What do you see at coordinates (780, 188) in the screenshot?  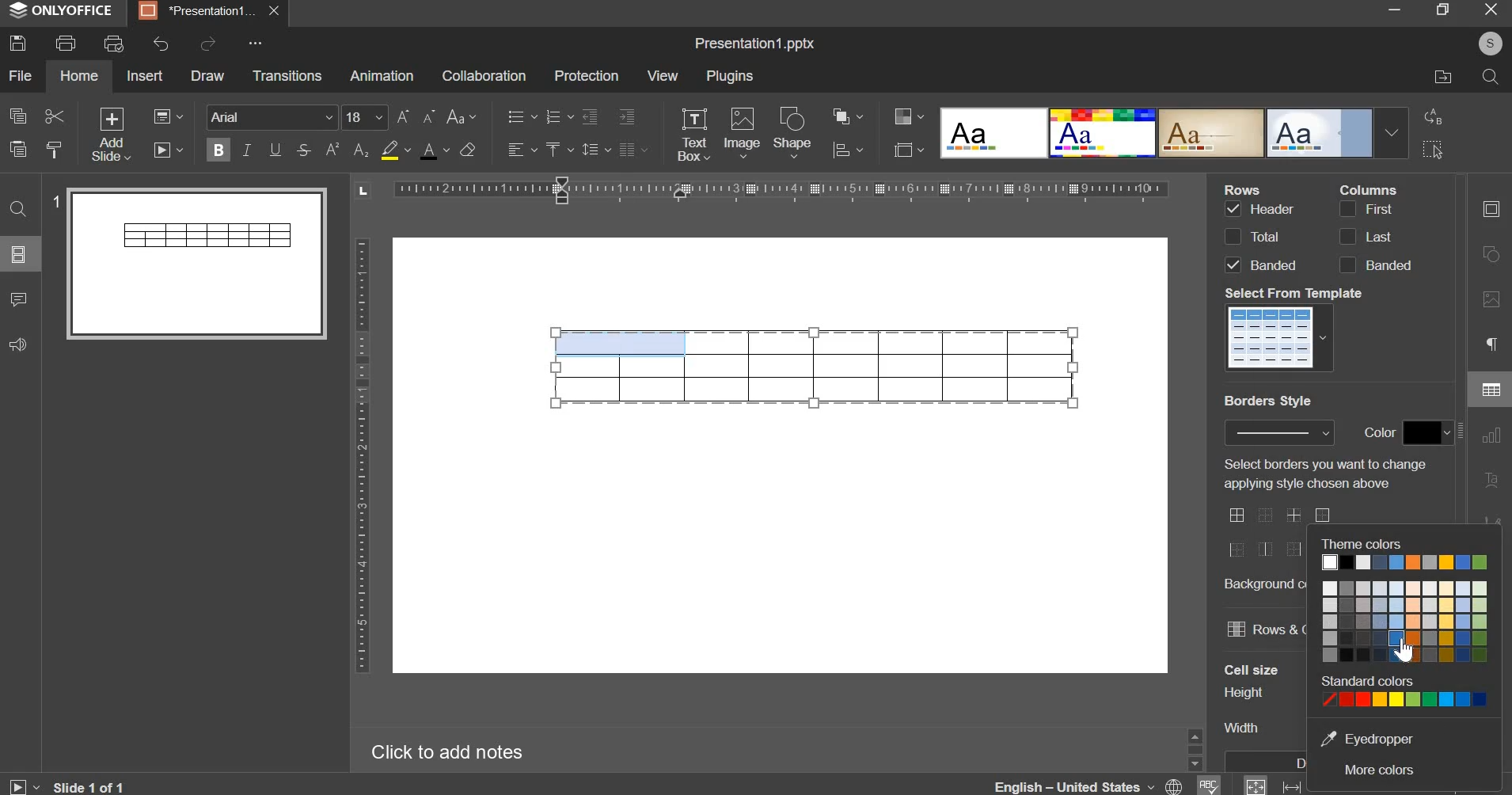 I see `horizontal scale` at bounding box center [780, 188].